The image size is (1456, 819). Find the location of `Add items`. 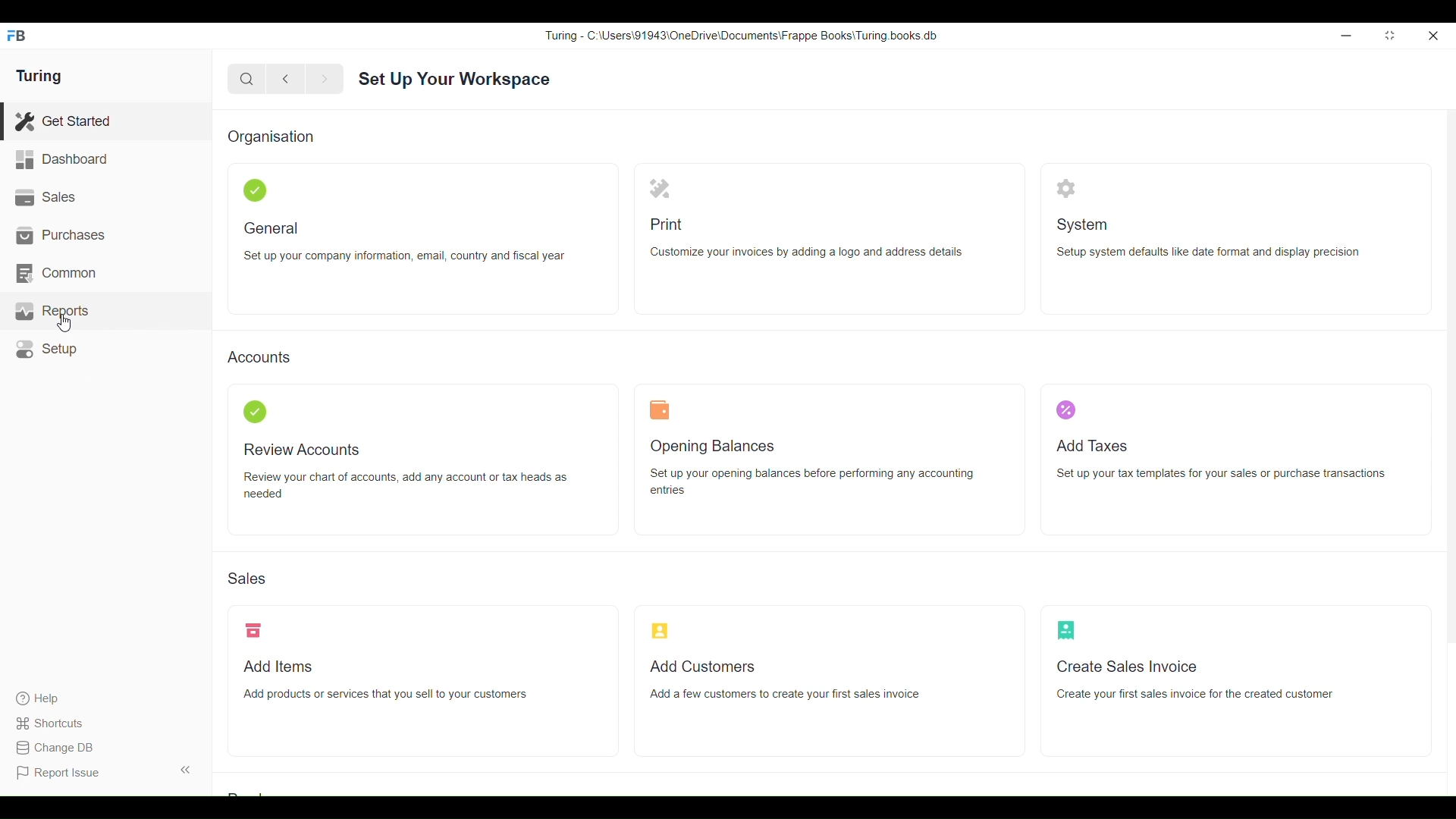

Add items is located at coordinates (253, 630).